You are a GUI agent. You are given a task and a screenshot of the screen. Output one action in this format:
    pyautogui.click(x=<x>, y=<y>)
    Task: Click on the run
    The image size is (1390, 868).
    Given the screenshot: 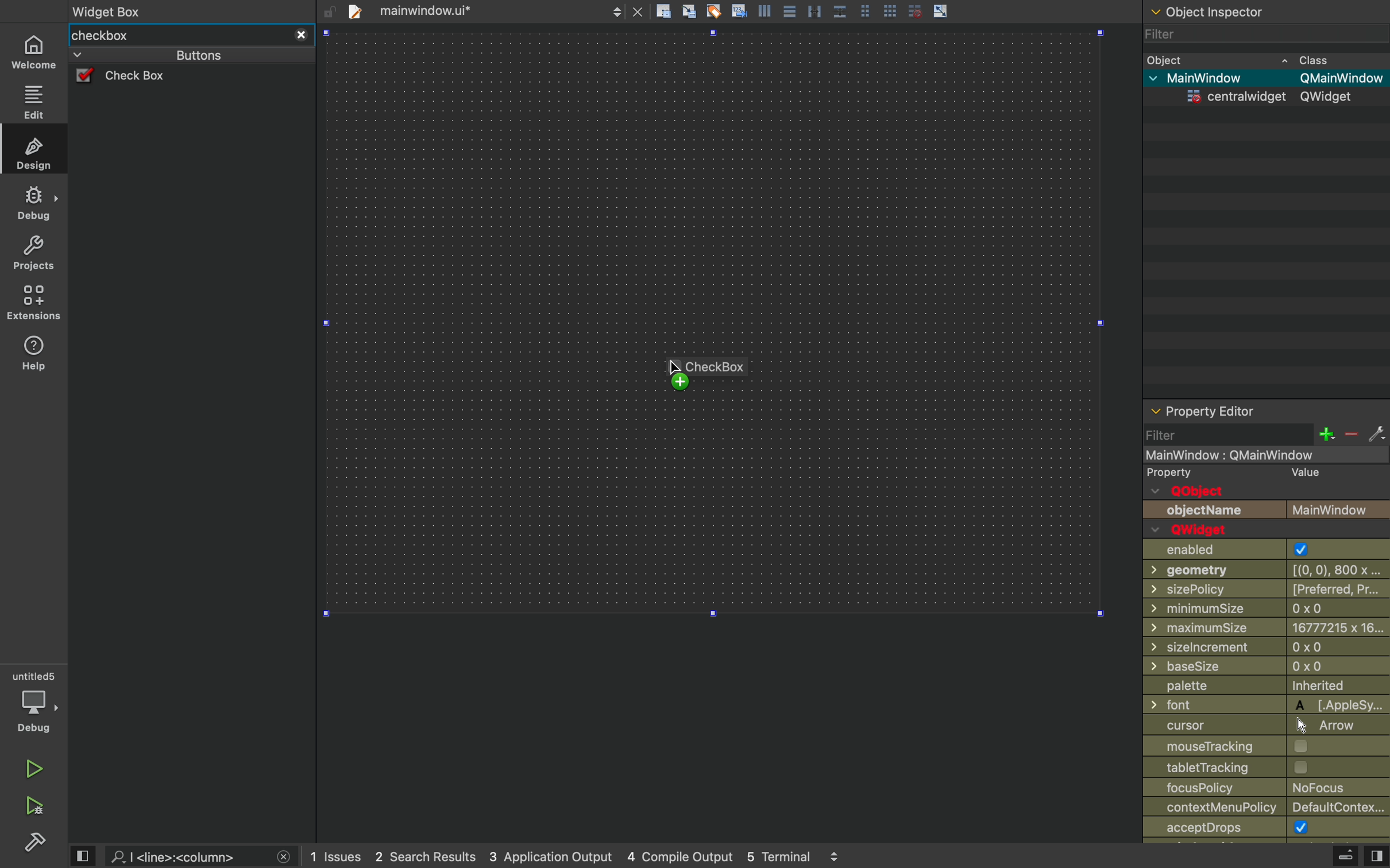 What is the action you would take?
    pyautogui.click(x=29, y=769)
    